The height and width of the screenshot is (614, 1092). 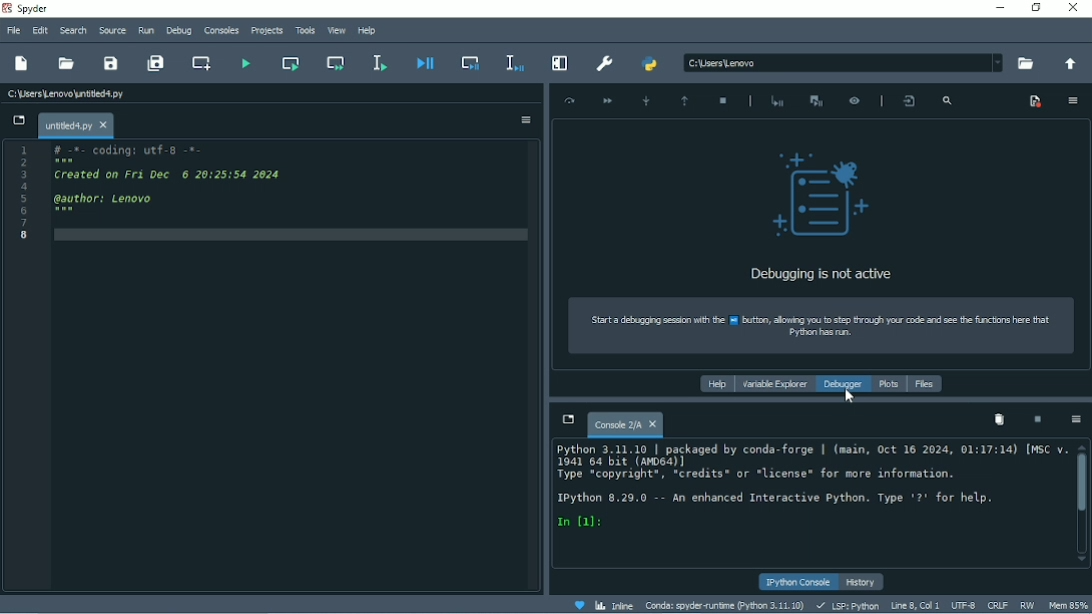 I want to click on Spyder, so click(x=31, y=8).